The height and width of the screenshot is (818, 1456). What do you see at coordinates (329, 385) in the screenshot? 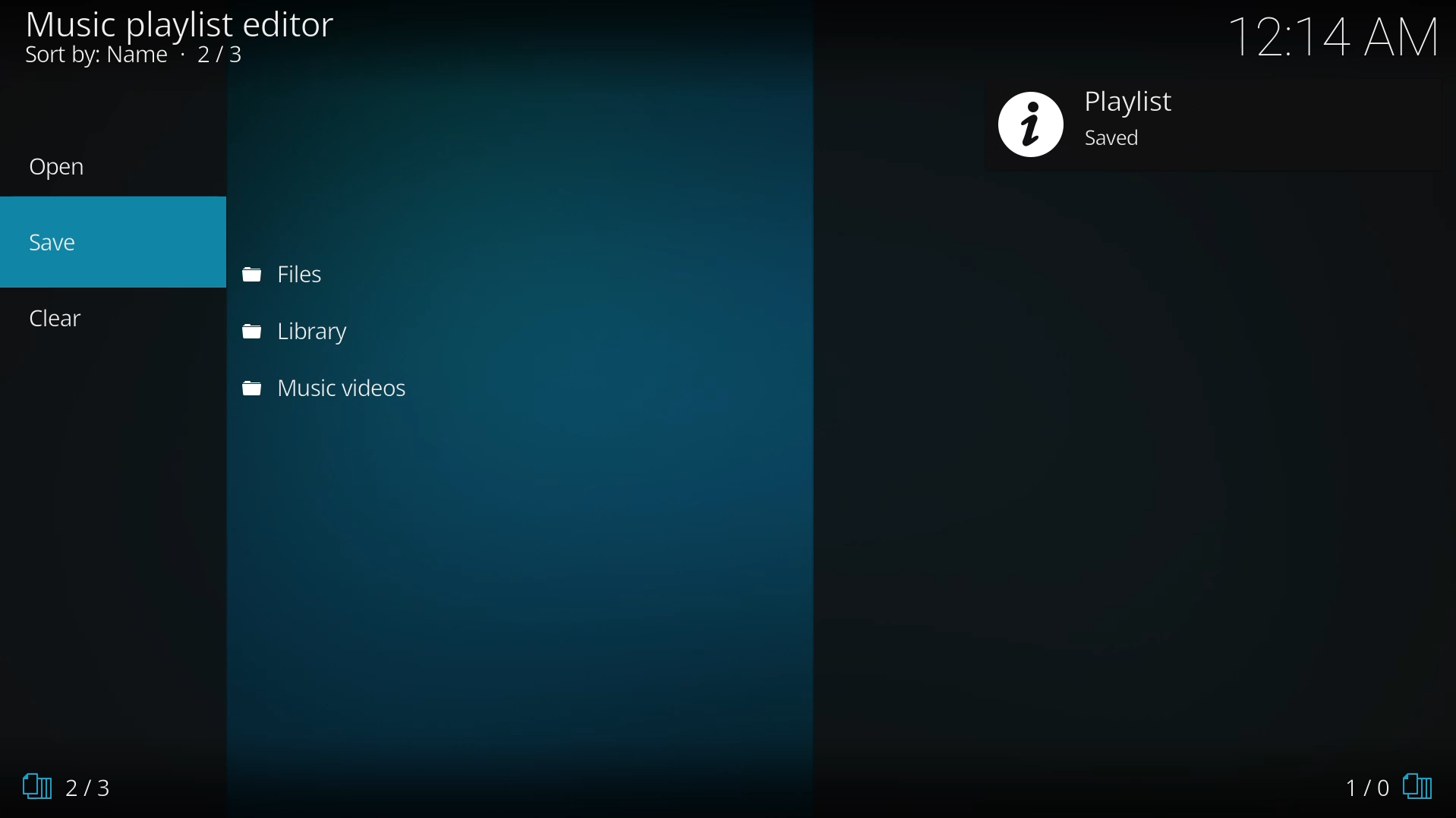
I see `music videos` at bounding box center [329, 385].